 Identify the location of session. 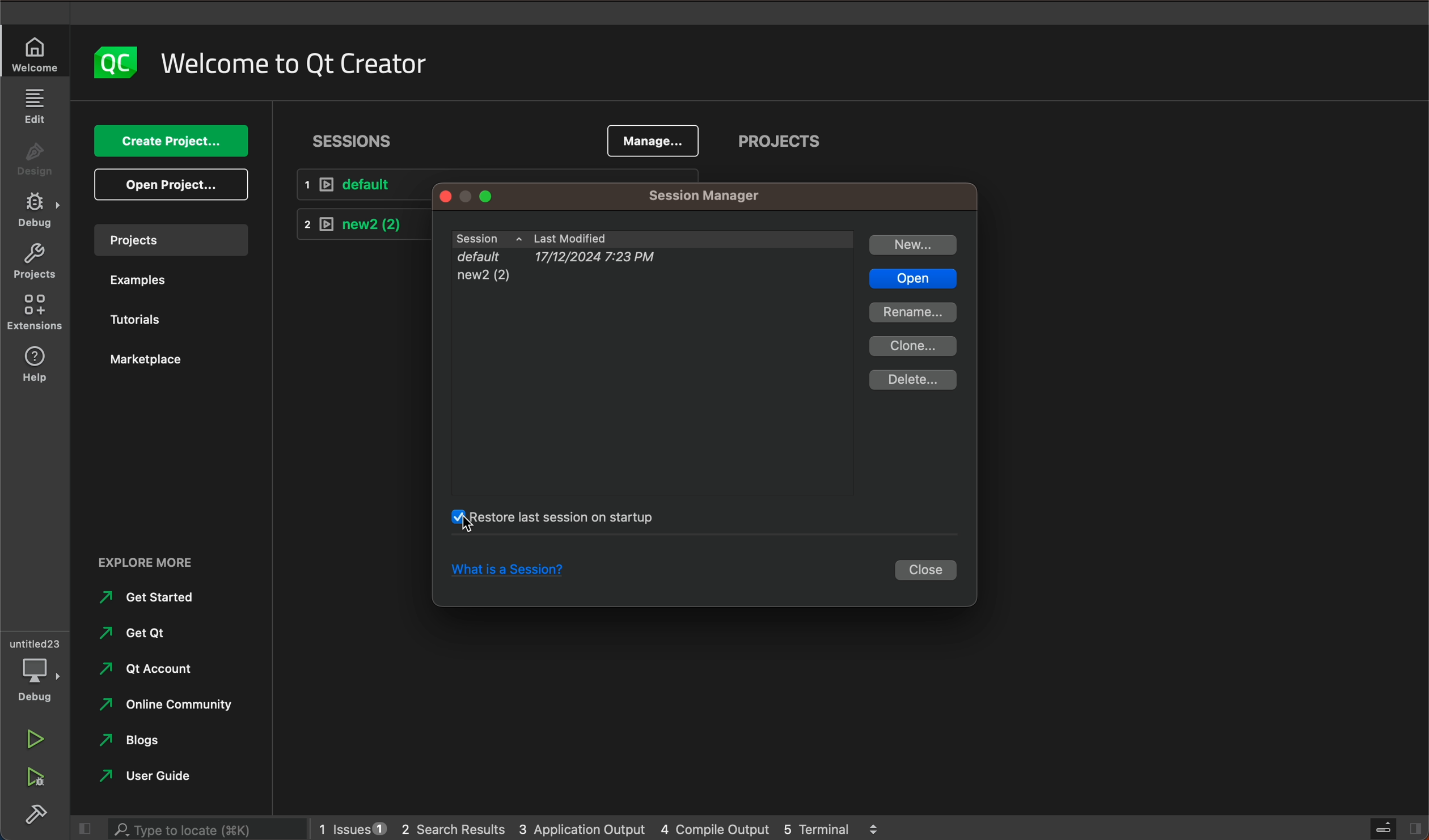
(511, 570).